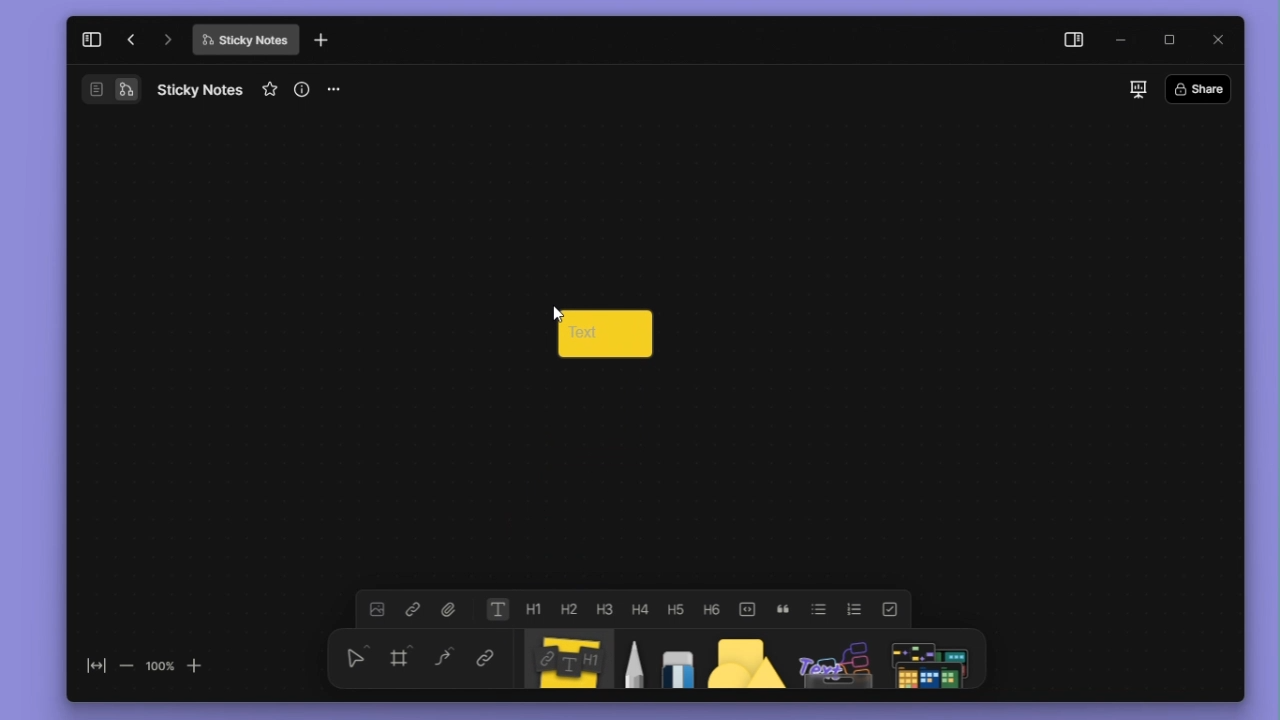  What do you see at coordinates (753, 609) in the screenshot?
I see `toogle buttons` at bounding box center [753, 609].